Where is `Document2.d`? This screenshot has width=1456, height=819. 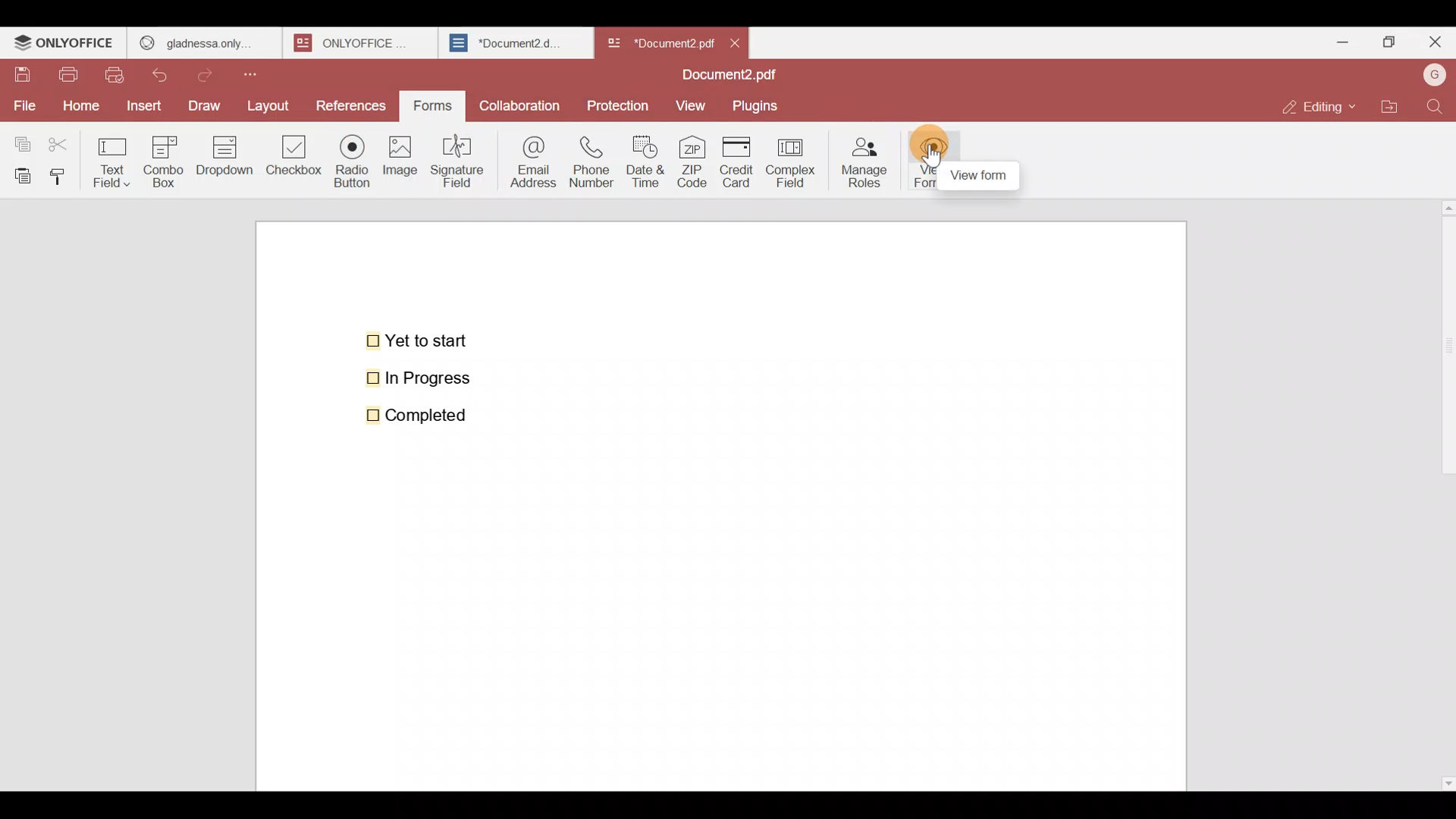
Document2.d is located at coordinates (515, 47).